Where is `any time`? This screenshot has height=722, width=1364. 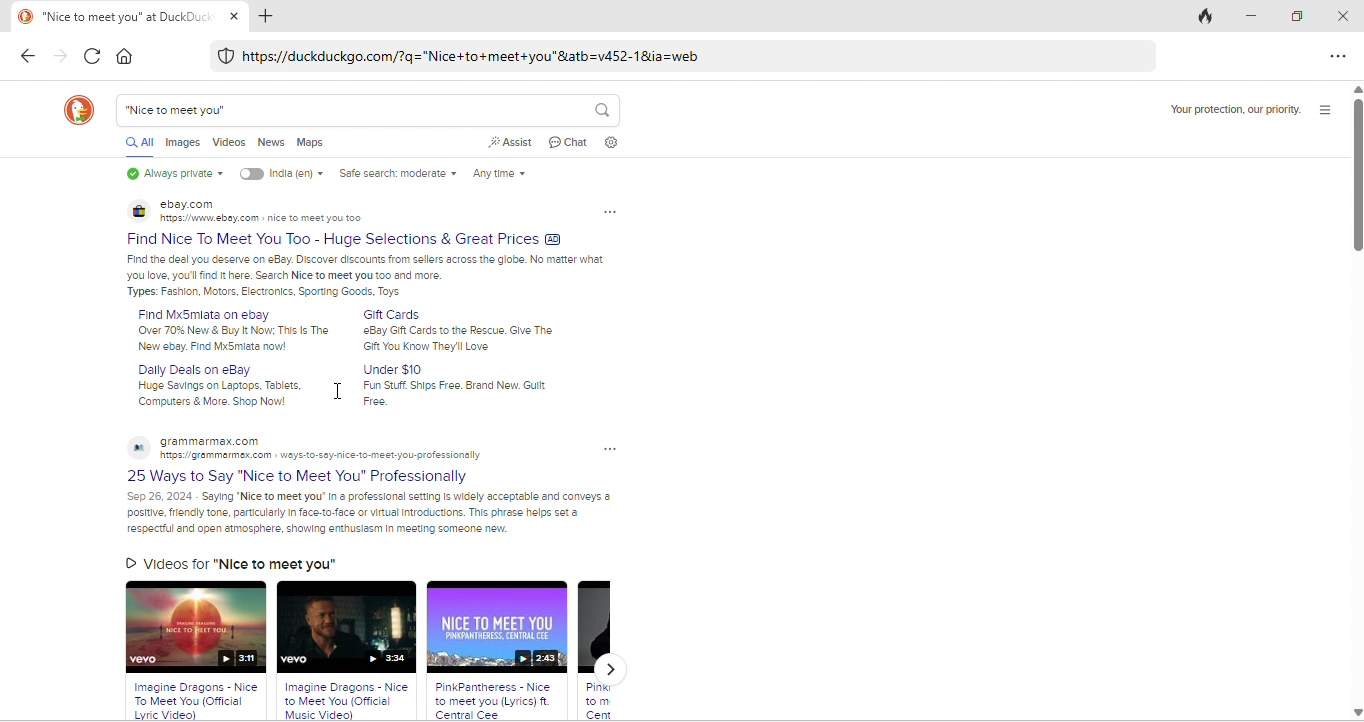
any time is located at coordinates (498, 175).